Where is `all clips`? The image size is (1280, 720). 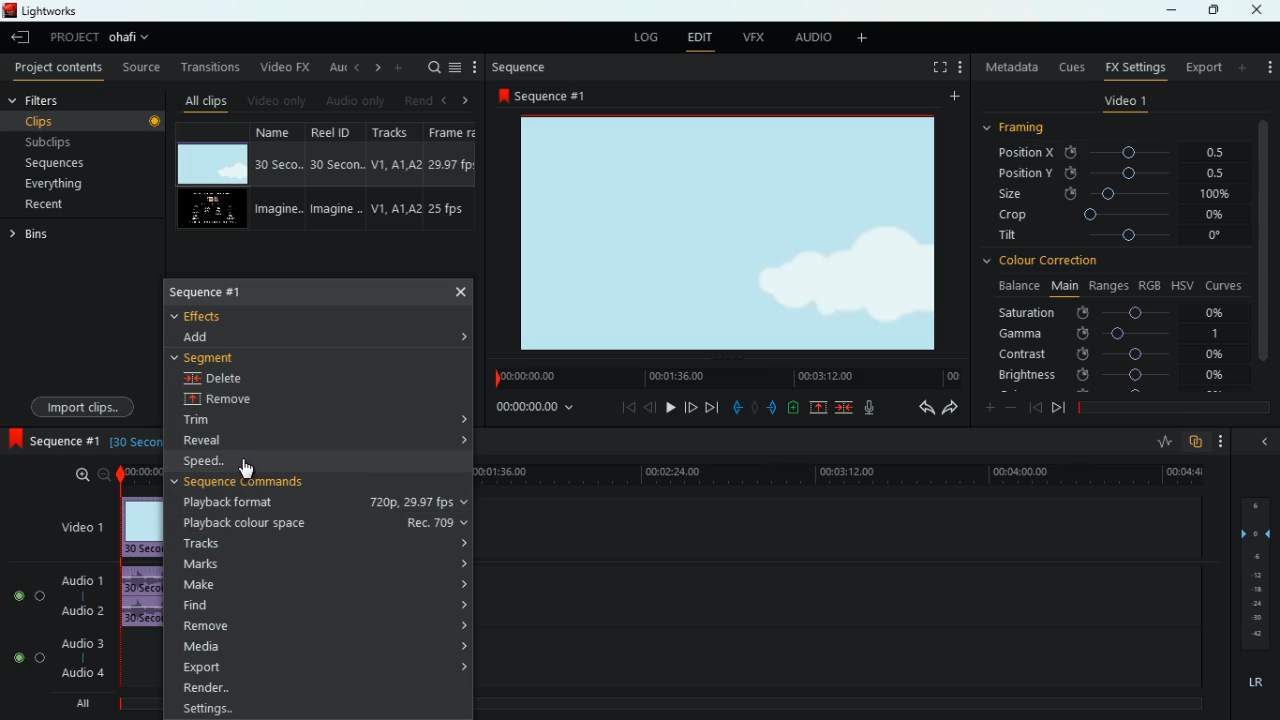 all clips is located at coordinates (202, 98).